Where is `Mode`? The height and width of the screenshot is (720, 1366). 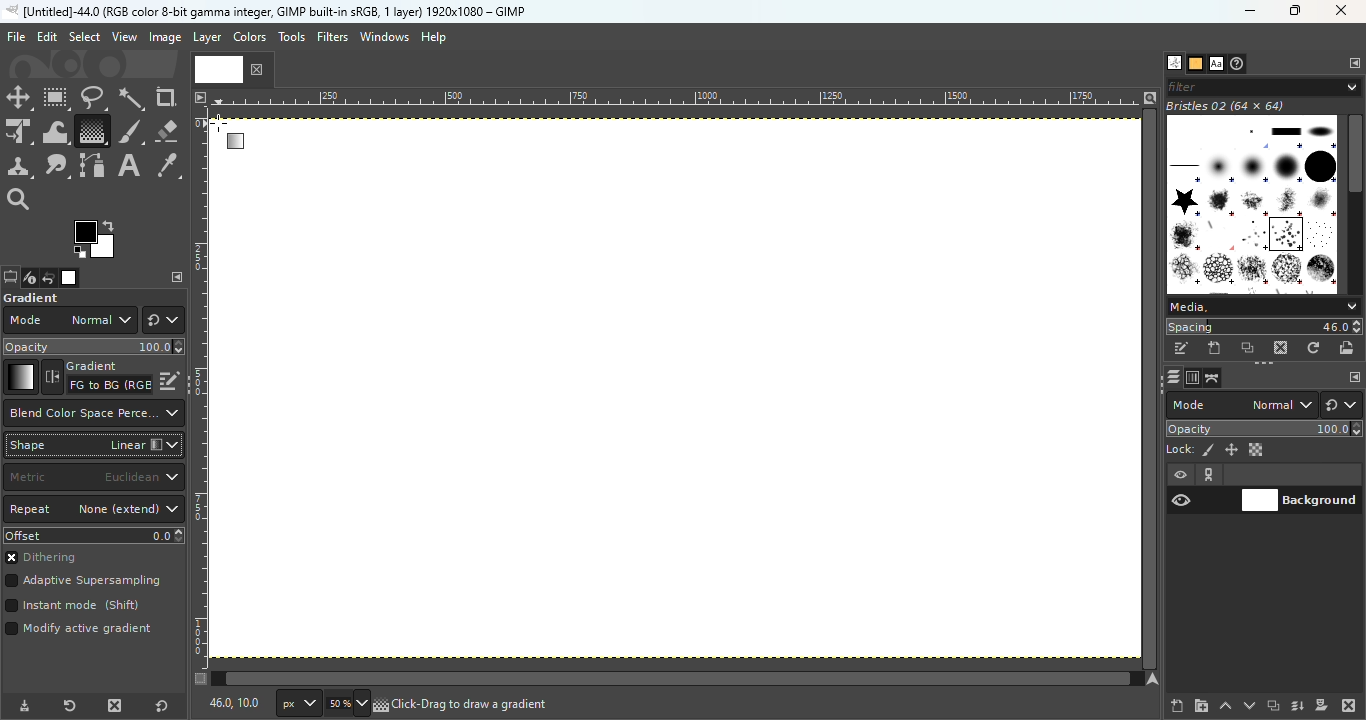
Mode is located at coordinates (69, 320).